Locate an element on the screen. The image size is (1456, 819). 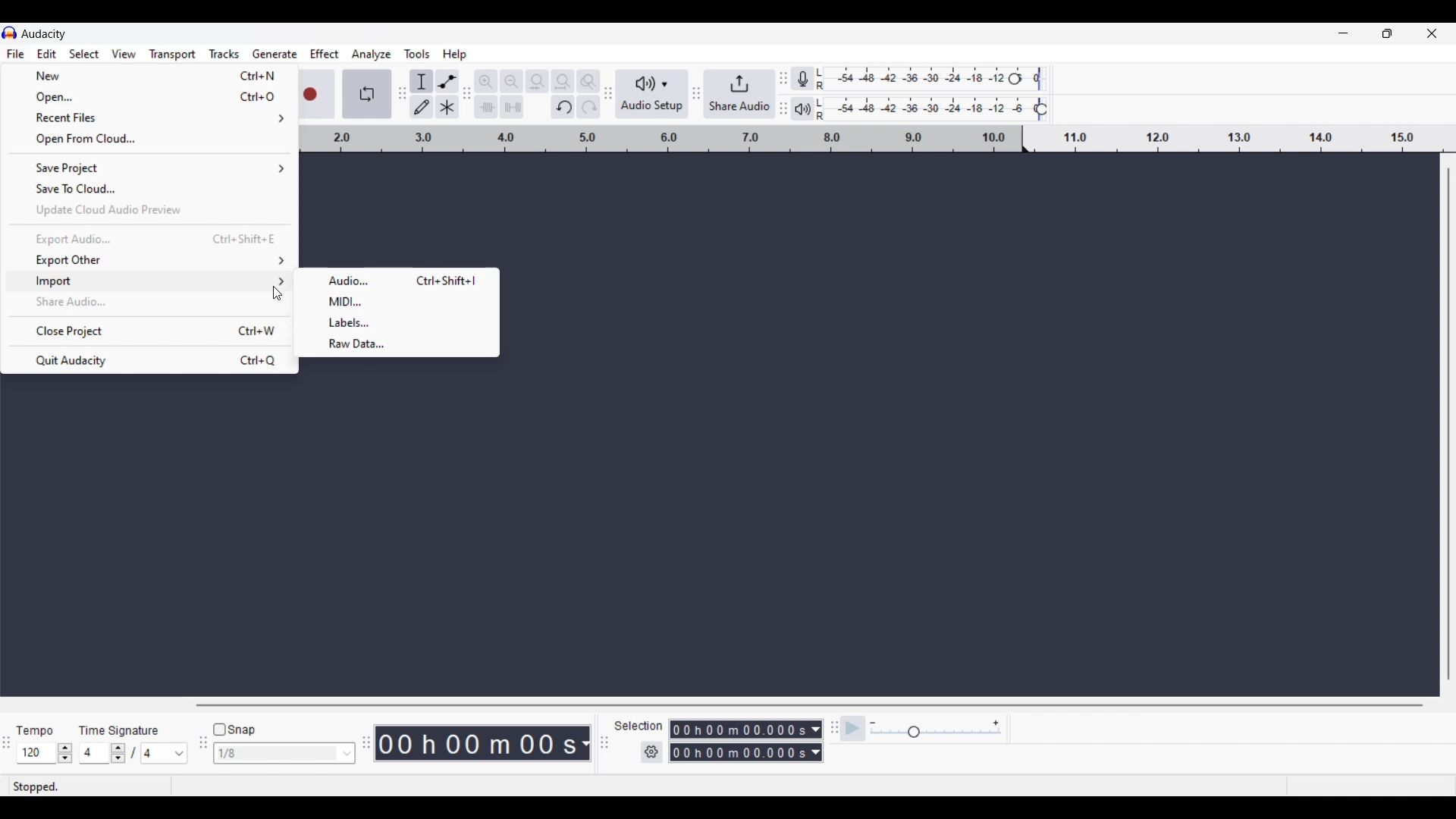
Tempo is located at coordinates (39, 726).